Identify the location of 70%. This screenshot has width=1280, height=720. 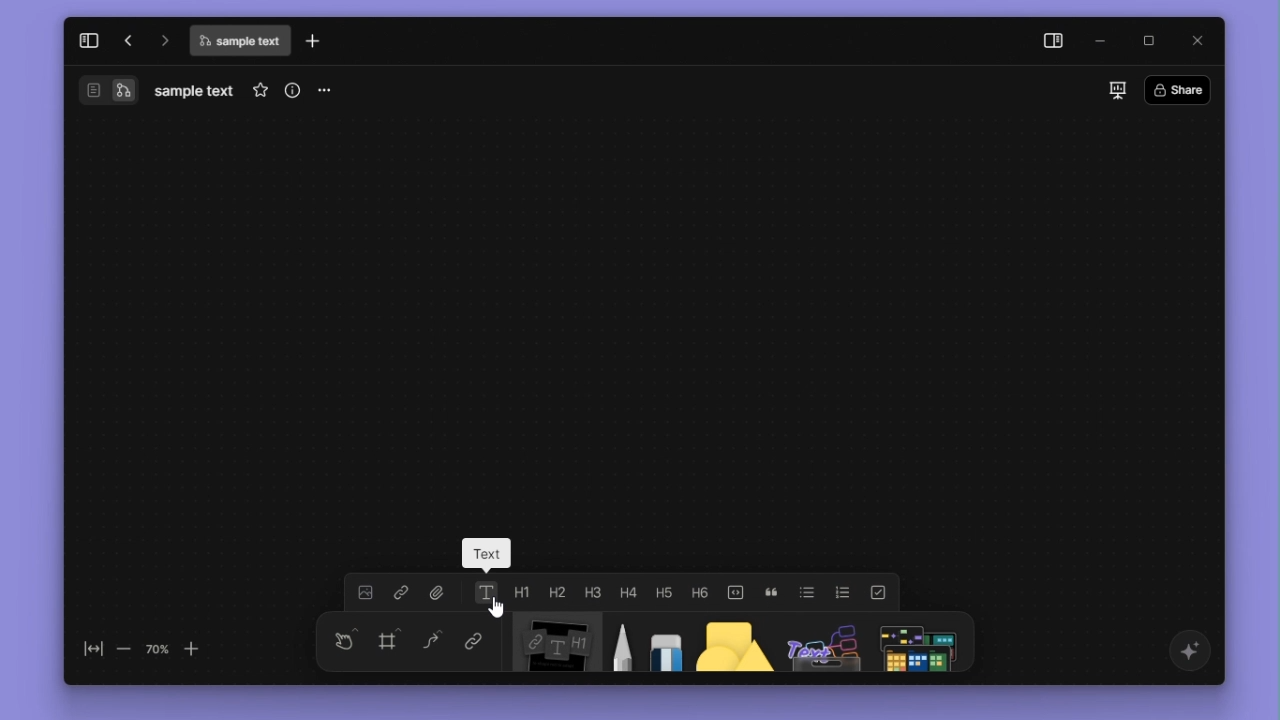
(157, 648).